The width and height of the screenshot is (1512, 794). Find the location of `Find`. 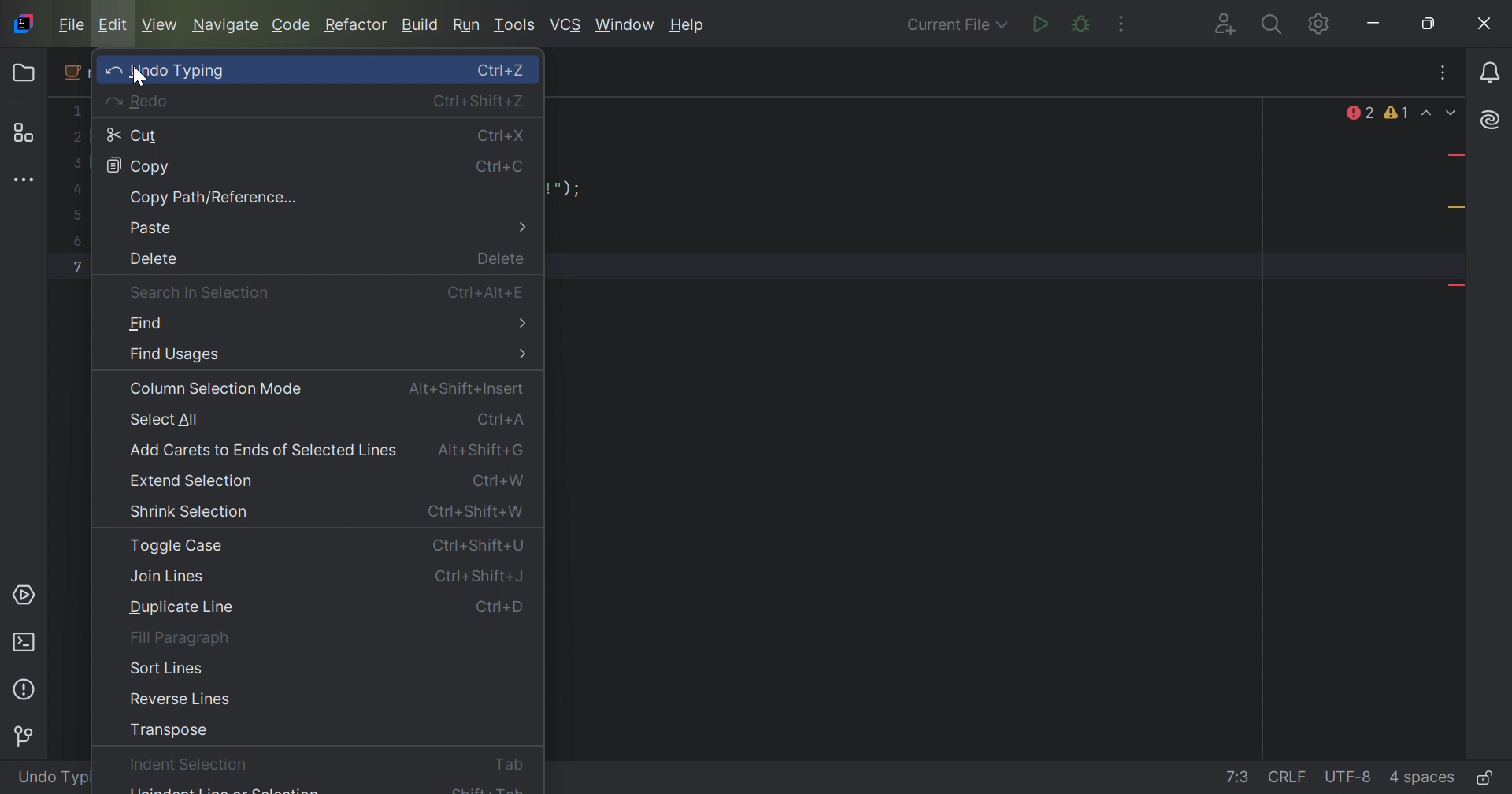

Find is located at coordinates (149, 325).